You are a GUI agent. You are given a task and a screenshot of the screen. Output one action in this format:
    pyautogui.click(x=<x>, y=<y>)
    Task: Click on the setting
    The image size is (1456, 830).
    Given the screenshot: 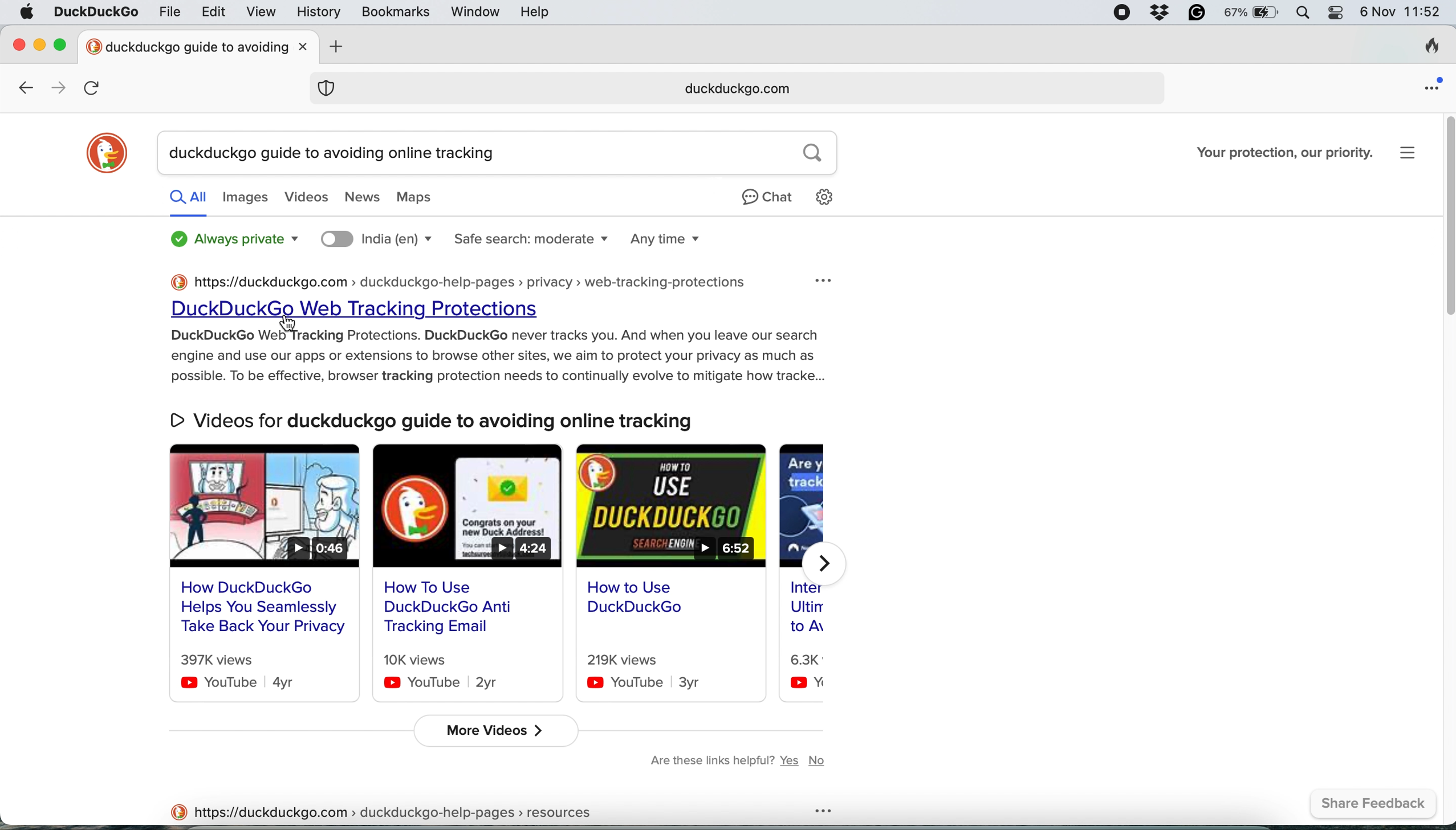 What is the action you would take?
    pyautogui.click(x=830, y=197)
    